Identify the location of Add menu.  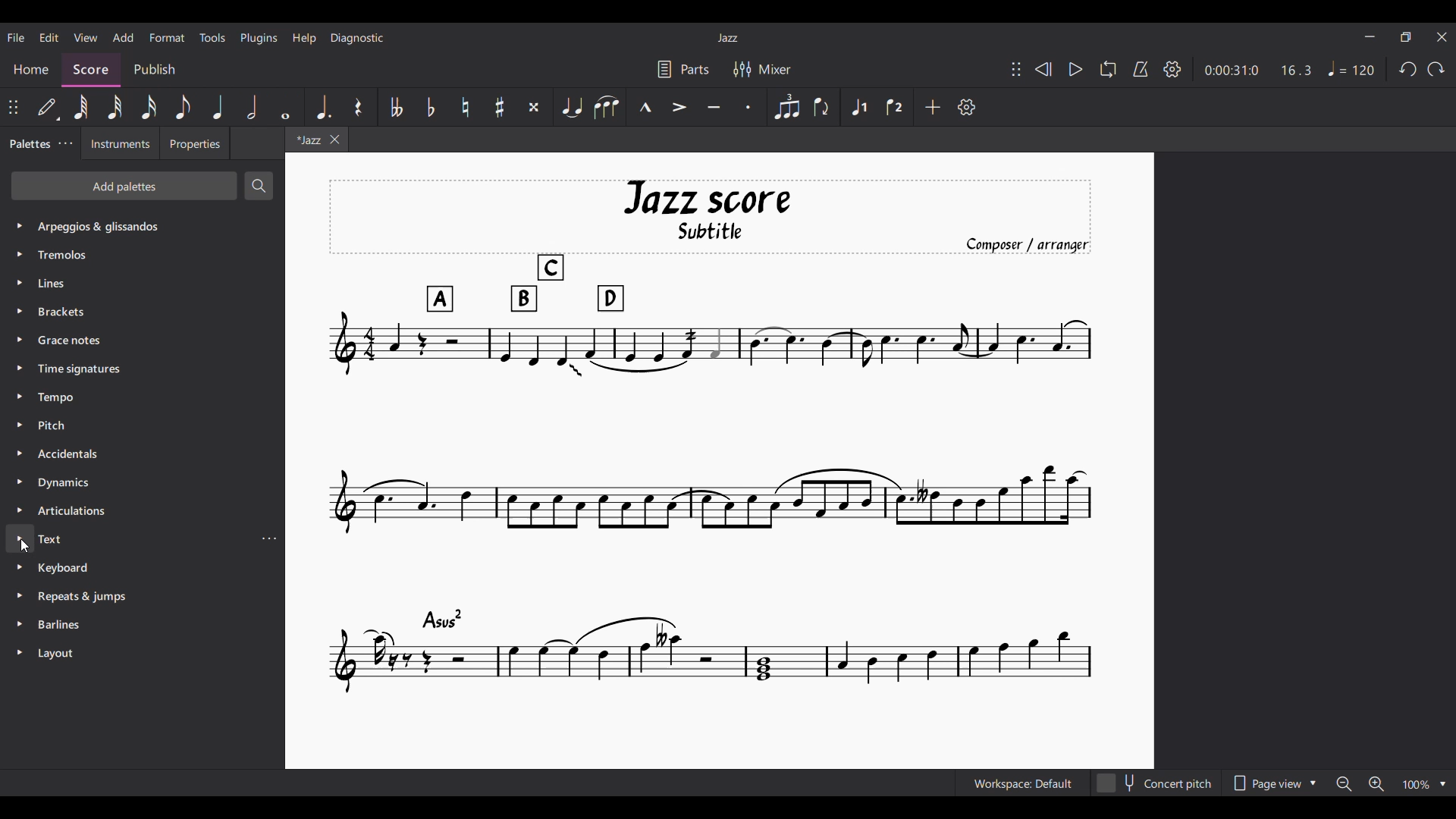
(124, 37).